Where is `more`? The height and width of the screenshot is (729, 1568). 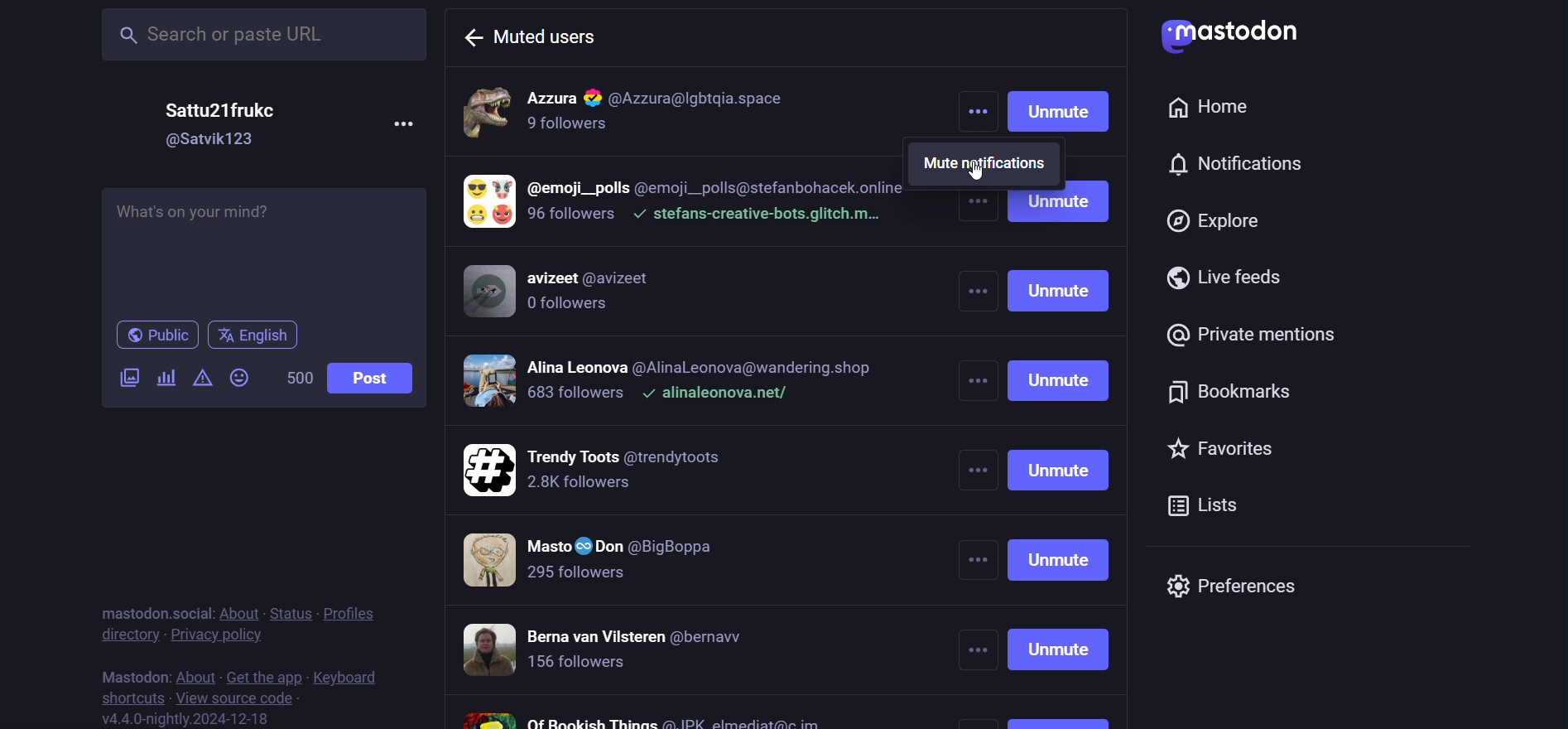
more is located at coordinates (978, 452).